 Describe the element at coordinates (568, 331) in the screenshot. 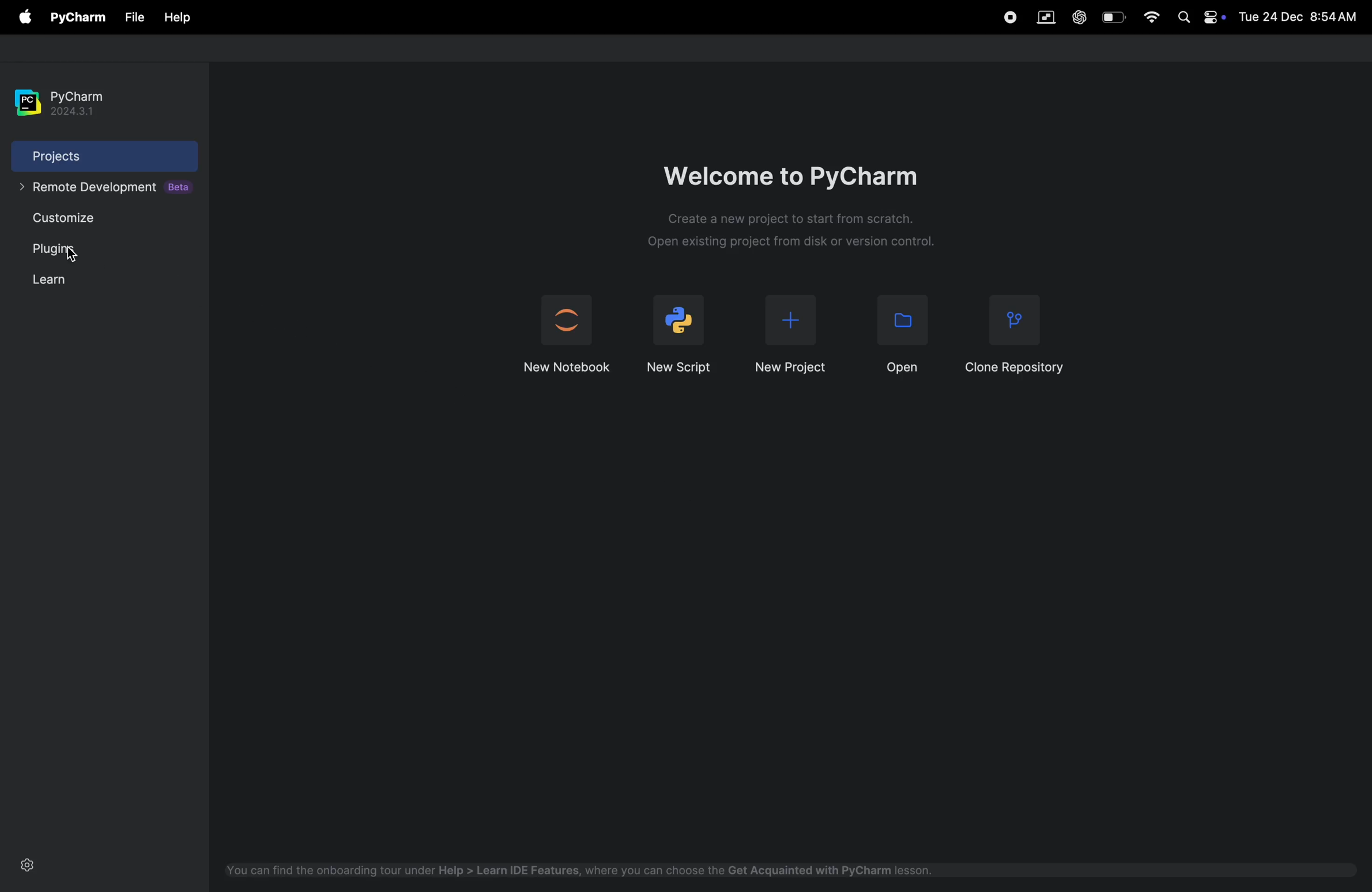

I see `Jyputer notebook` at that location.